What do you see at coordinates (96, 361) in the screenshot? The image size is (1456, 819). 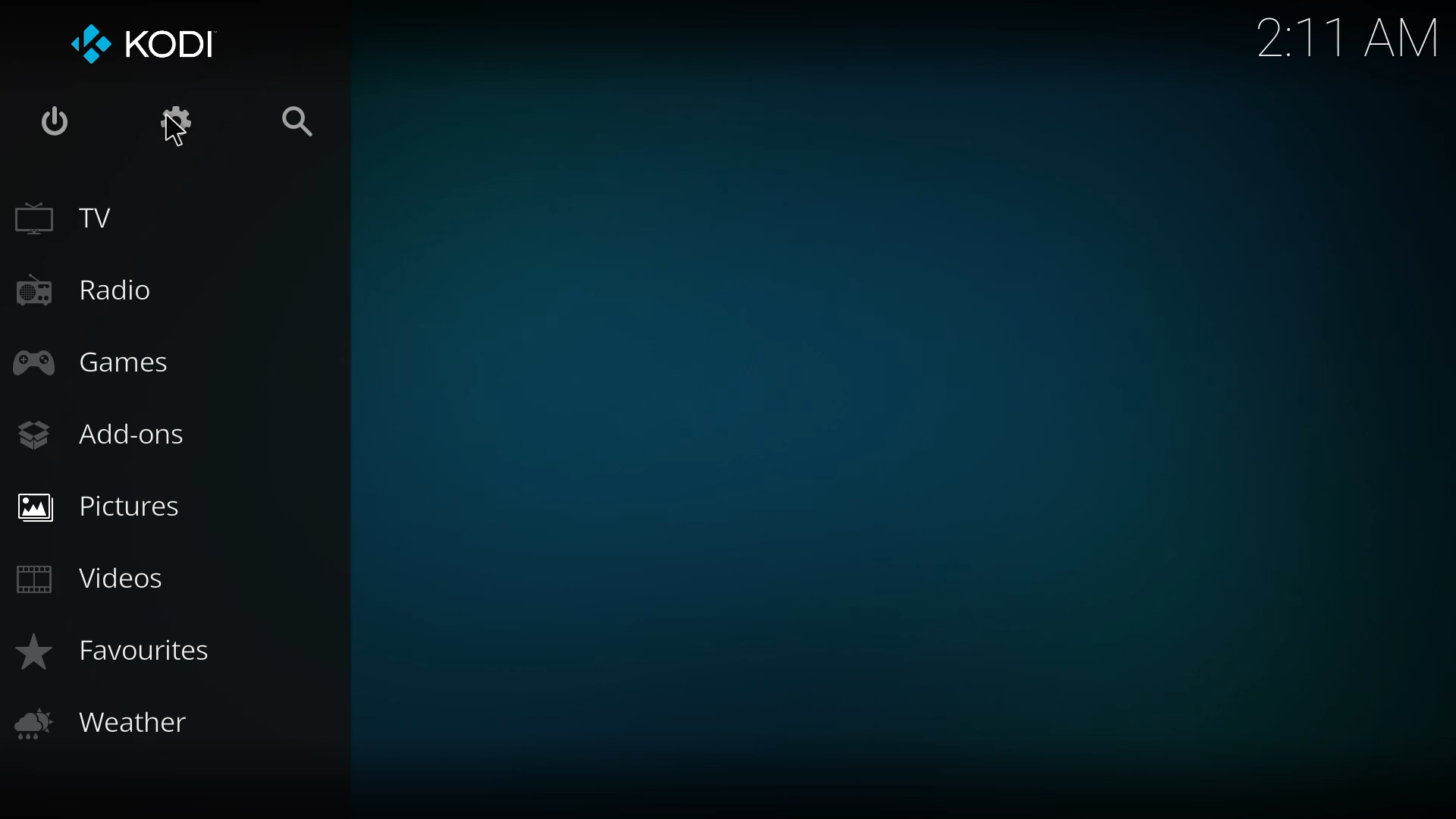 I see `games` at bounding box center [96, 361].